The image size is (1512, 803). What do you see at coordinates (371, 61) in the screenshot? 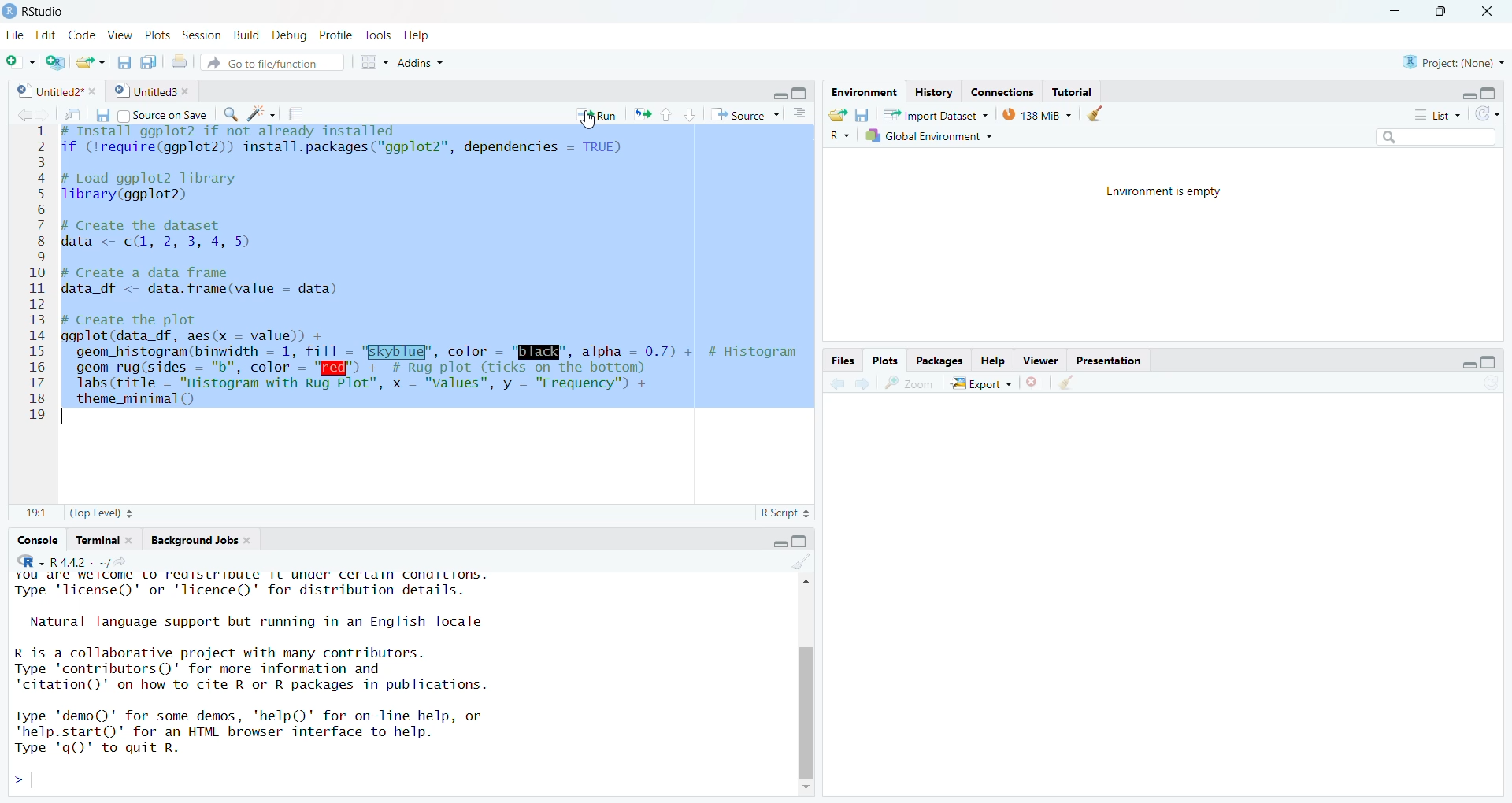
I see `workspace` at bounding box center [371, 61].